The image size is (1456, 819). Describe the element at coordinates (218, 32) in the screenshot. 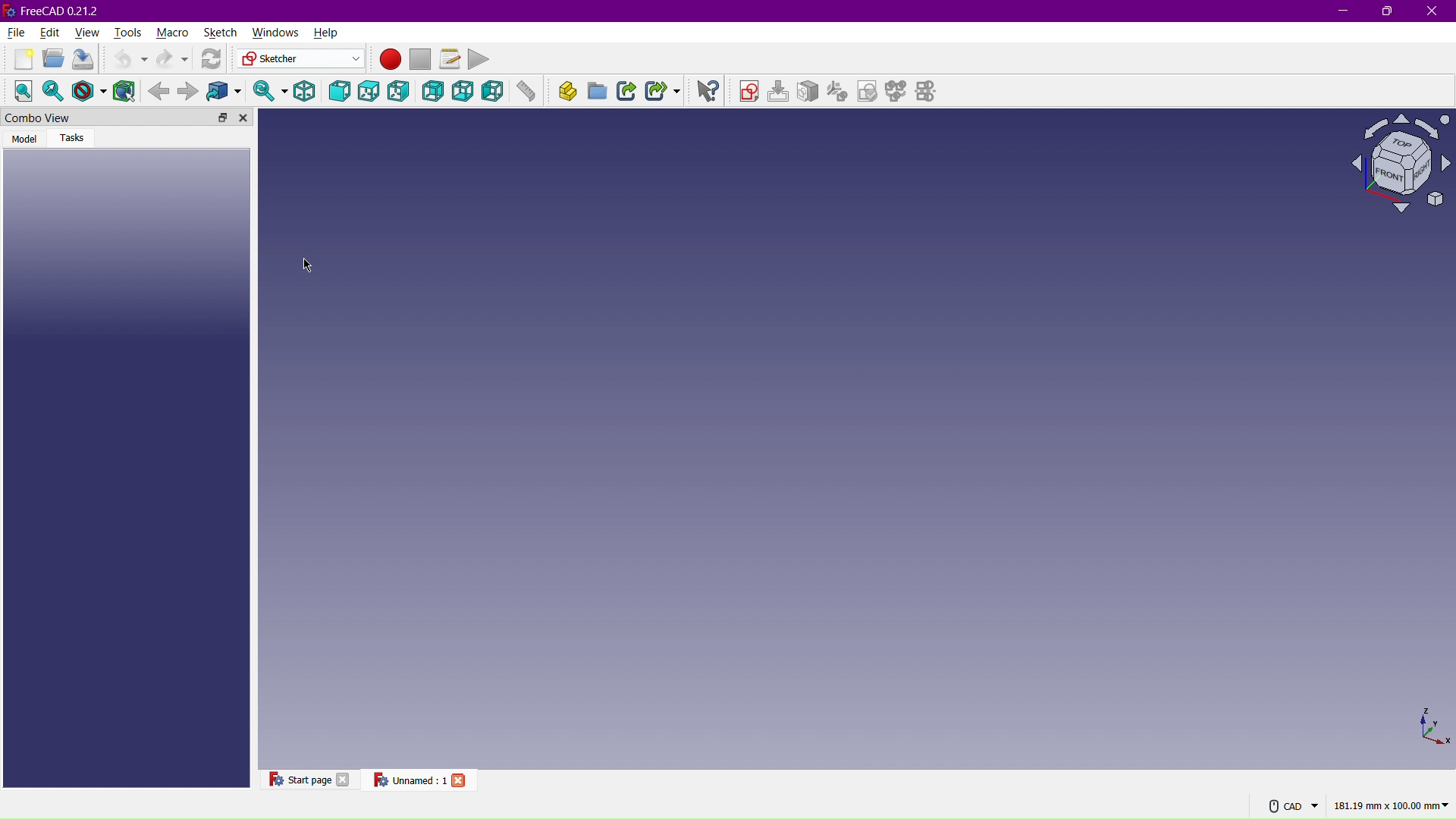

I see `Sketch` at that location.